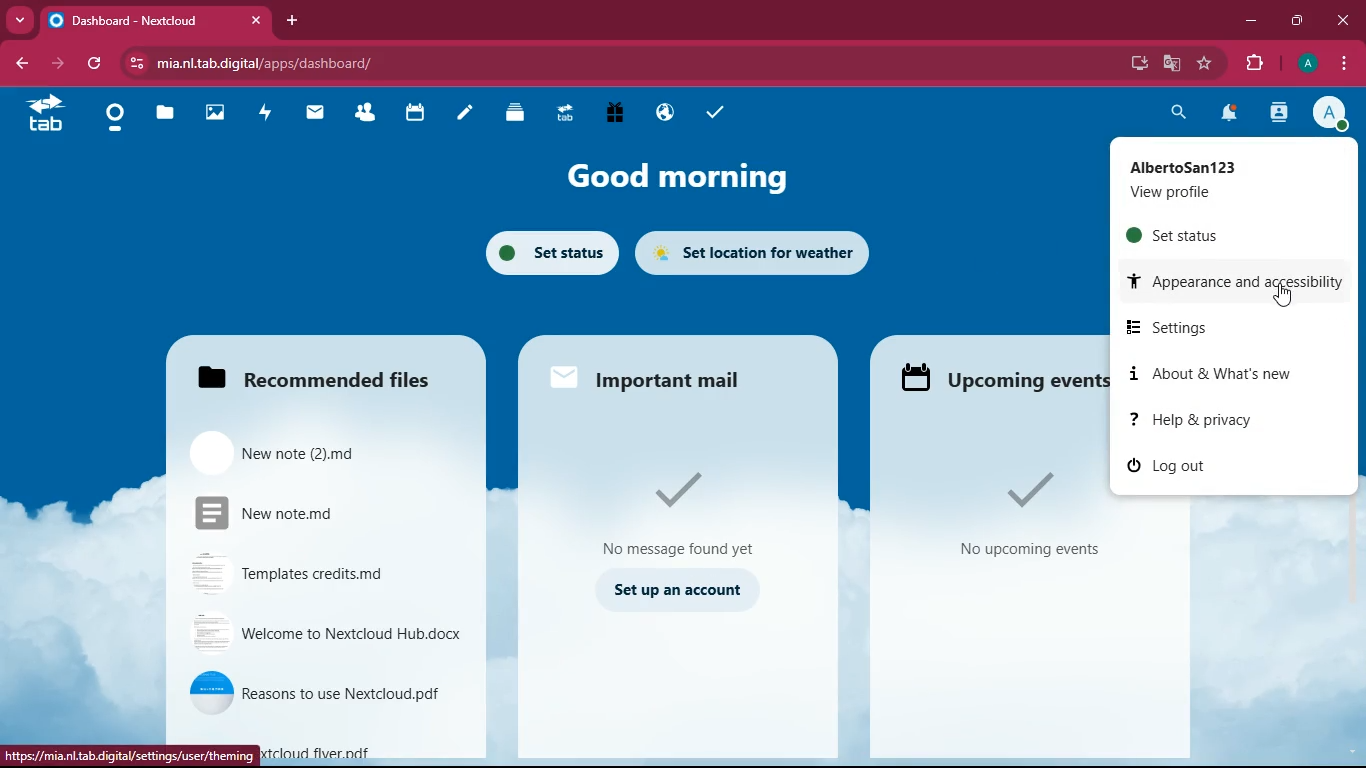 The image size is (1366, 768). Describe the element at coordinates (551, 254) in the screenshot. I see `set status` at that location.